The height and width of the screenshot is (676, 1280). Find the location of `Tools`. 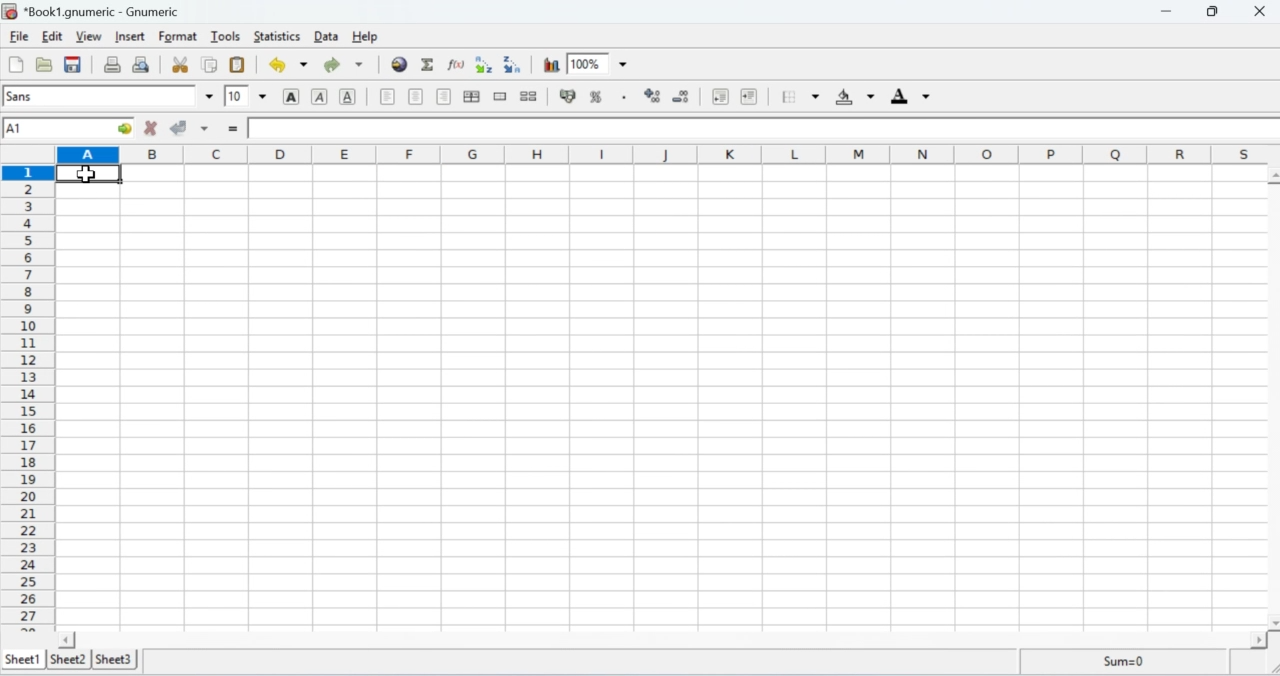

Tools is located at coordinates (226, 37).